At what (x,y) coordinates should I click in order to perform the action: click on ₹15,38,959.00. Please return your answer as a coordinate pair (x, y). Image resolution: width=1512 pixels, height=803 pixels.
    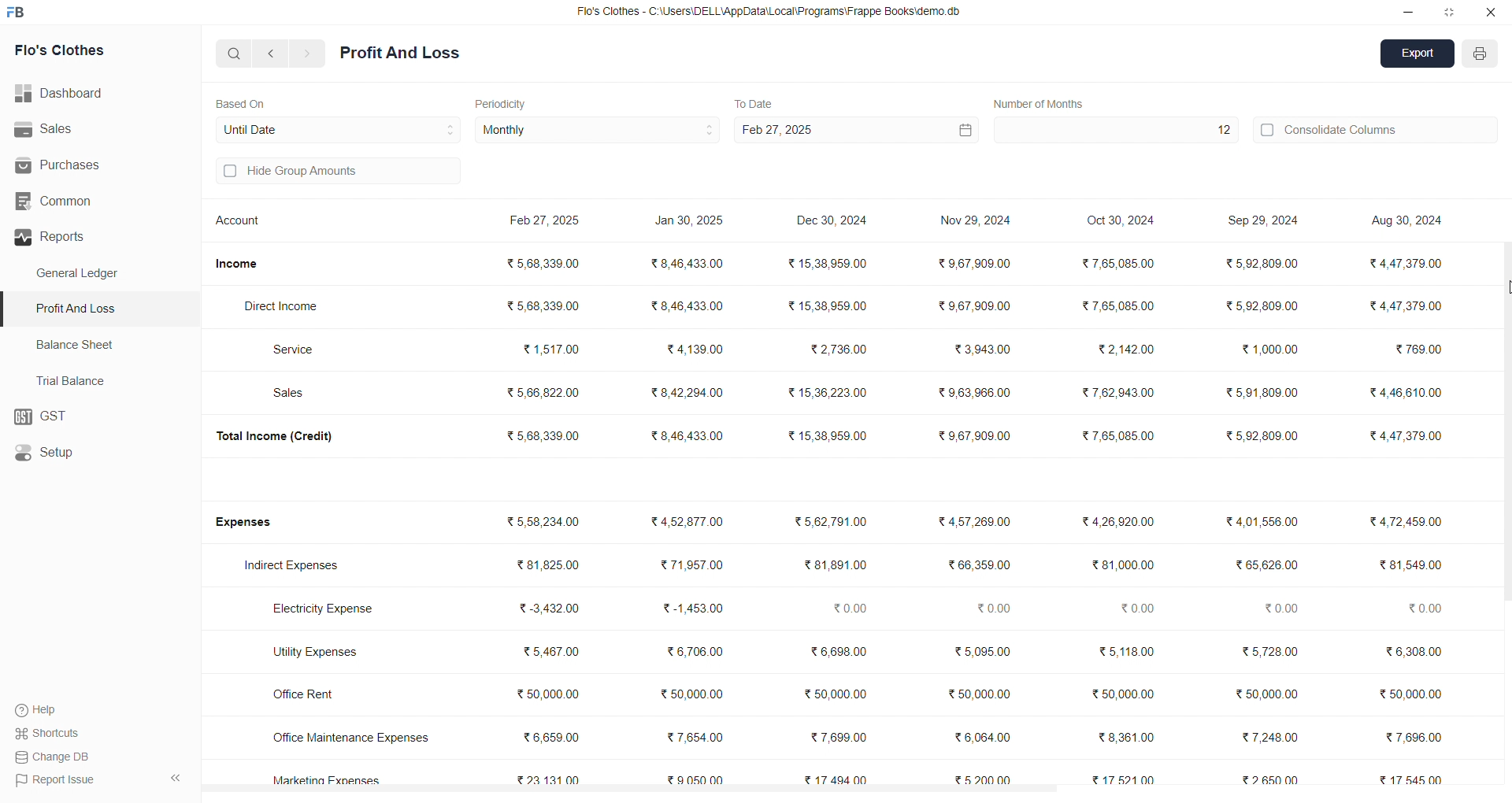
    Looking at the image, I should click on (839, 436).